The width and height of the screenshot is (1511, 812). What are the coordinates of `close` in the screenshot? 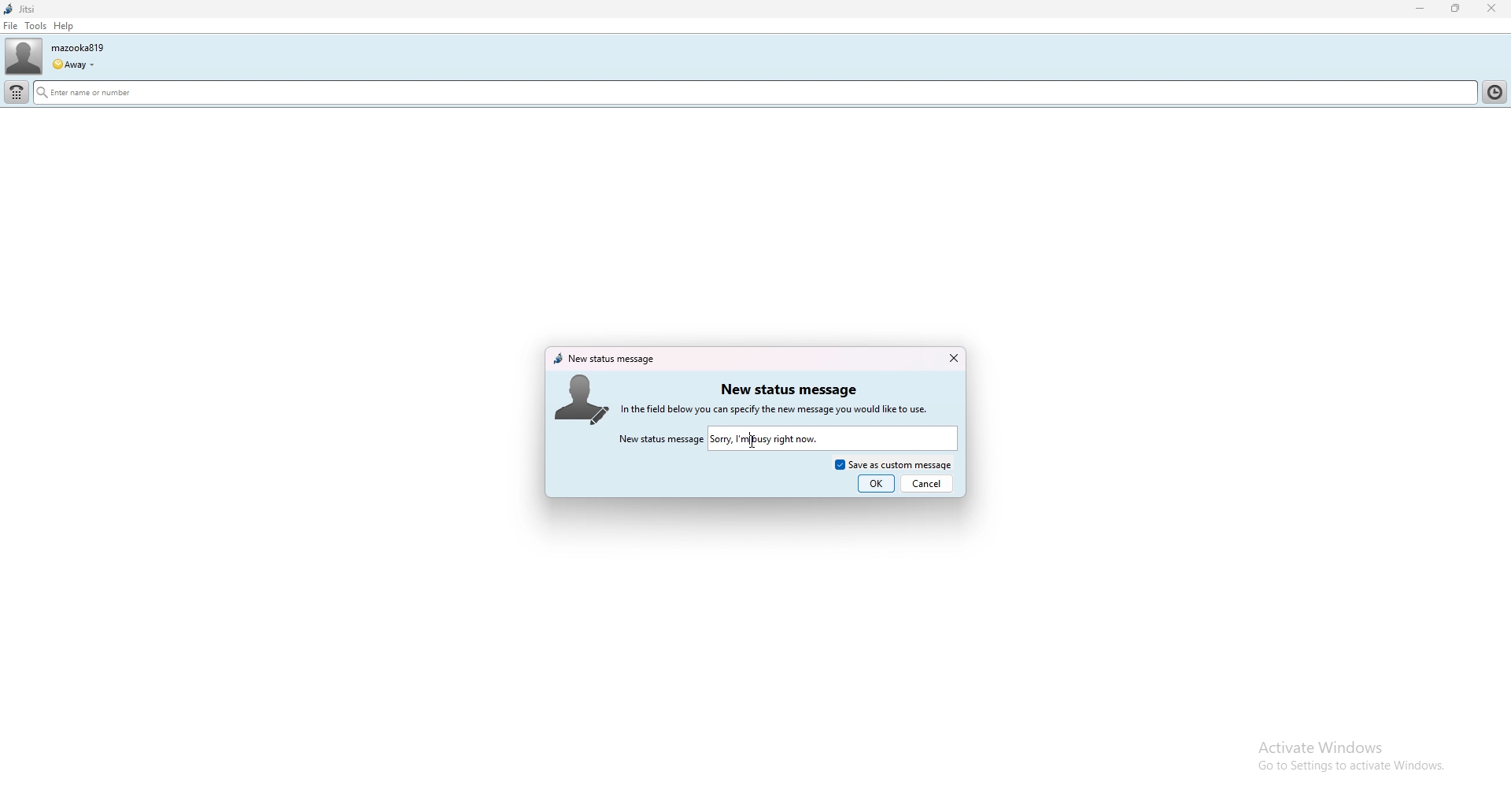 It's located at (952, 358).